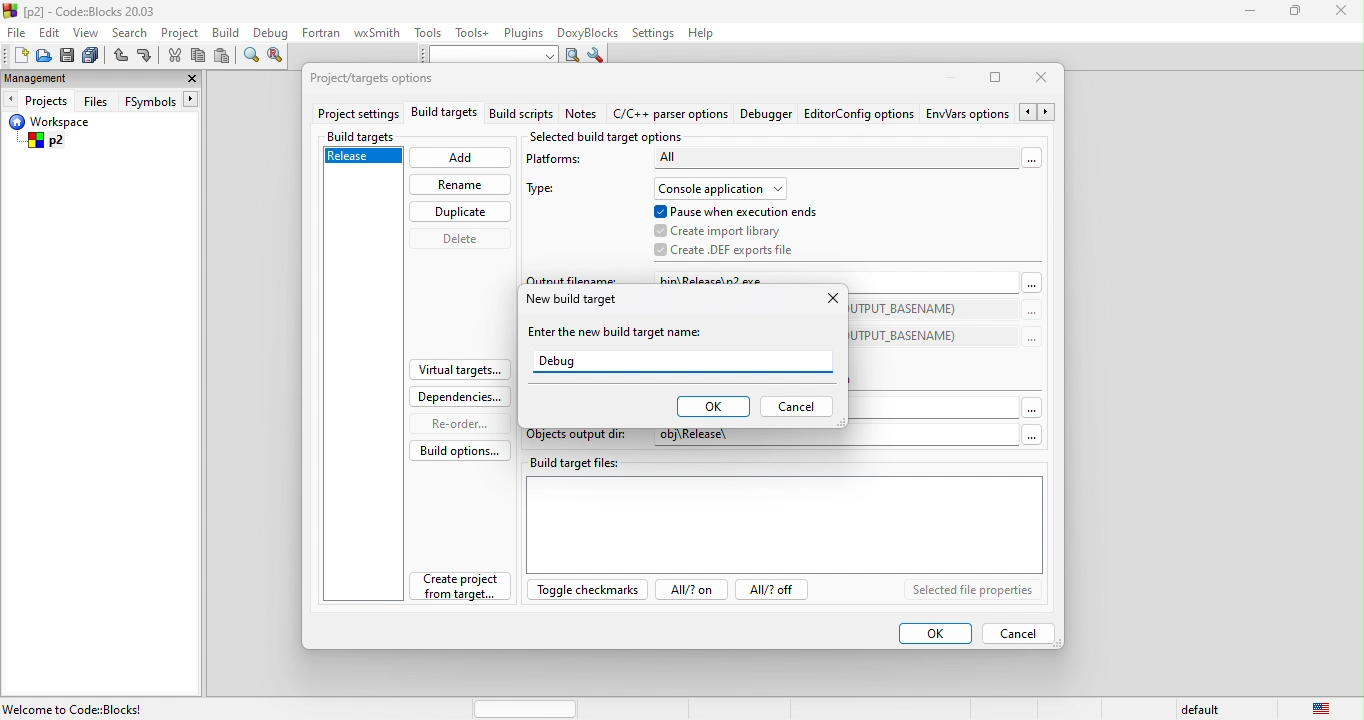 This screenshot has height=720, width=1364. Describe the element at coordinates (225, 56) in the screenshot. I see `paste` at that location.